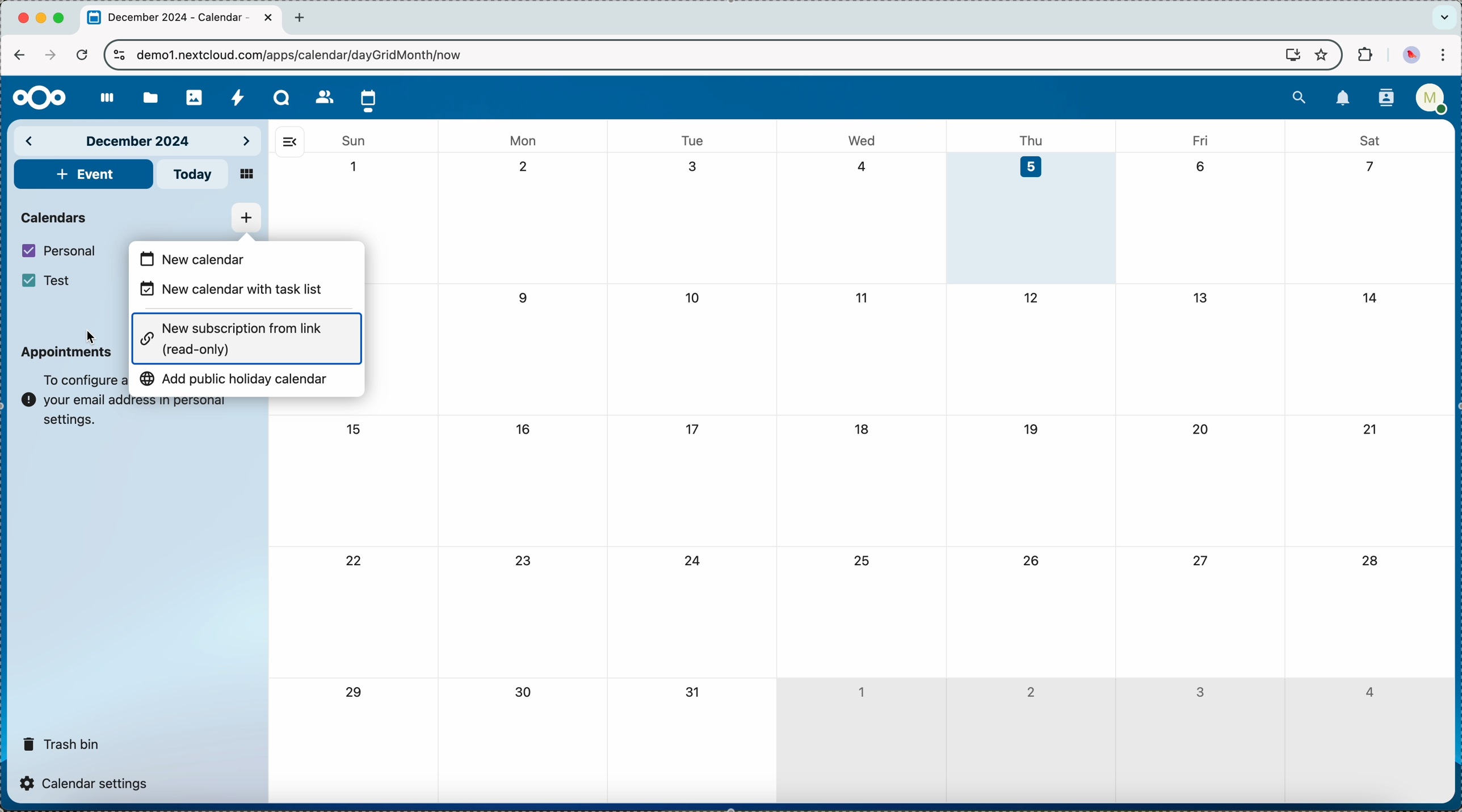  Describe the element at coordinates (1444, 18) in the screenshot. I see `search tabs` at that location.